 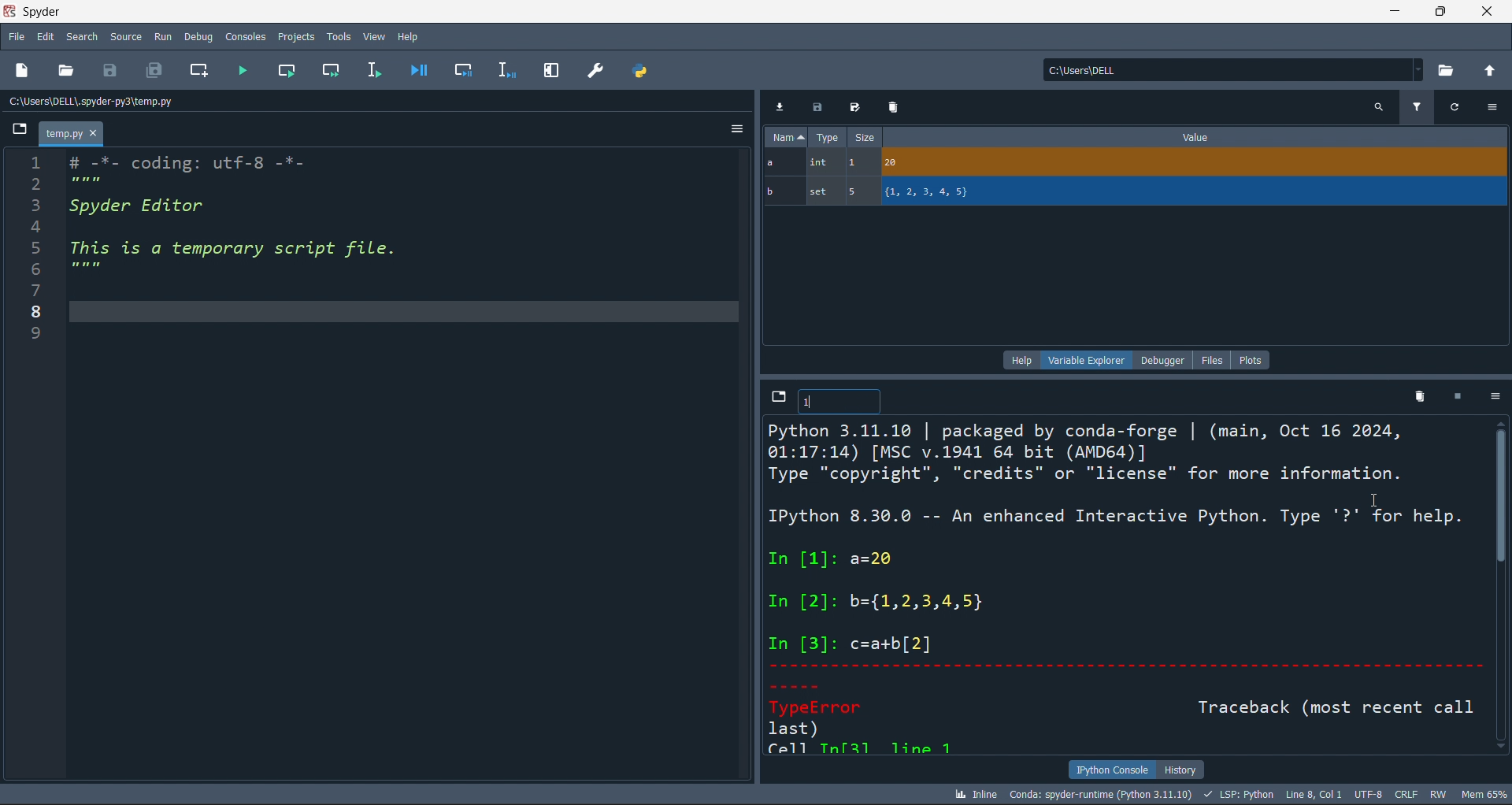 I want to click on 1, so click(x=814, y=403).